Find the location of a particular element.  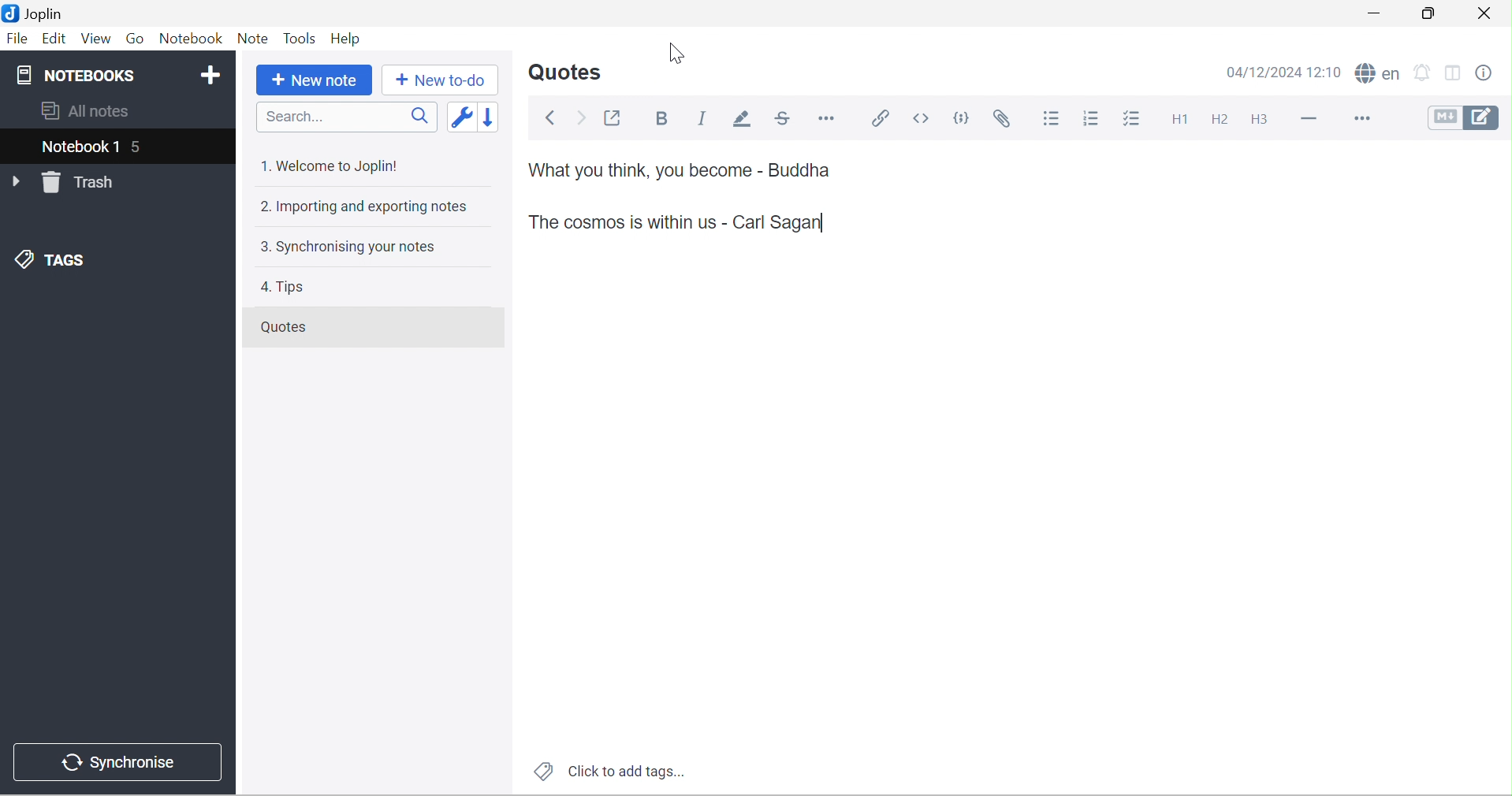

Joplin is located at coordinates (39, 13).